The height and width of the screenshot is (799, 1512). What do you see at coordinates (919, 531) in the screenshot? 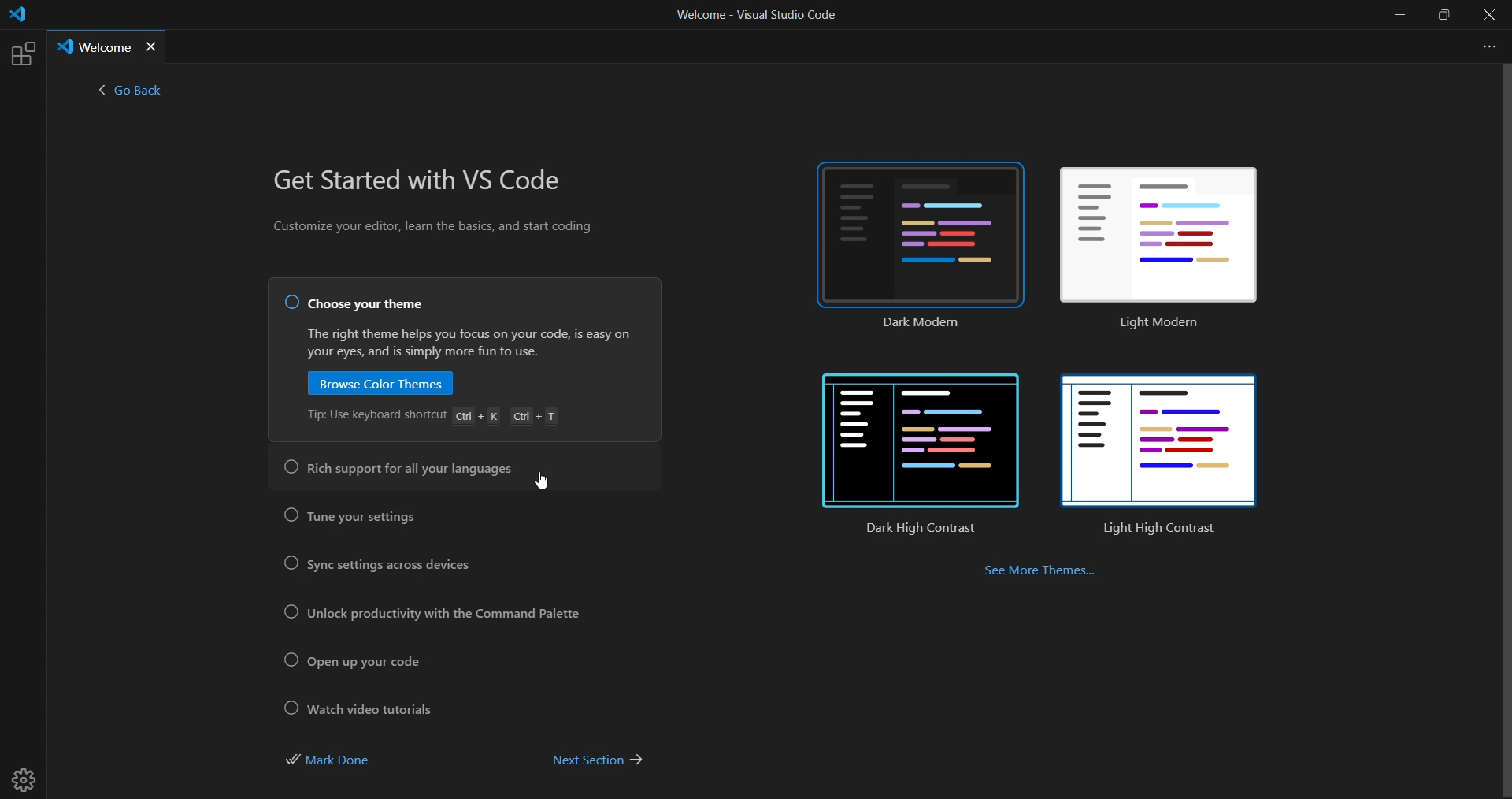
I see `dark high contrast` at bounding box center [919, 531].